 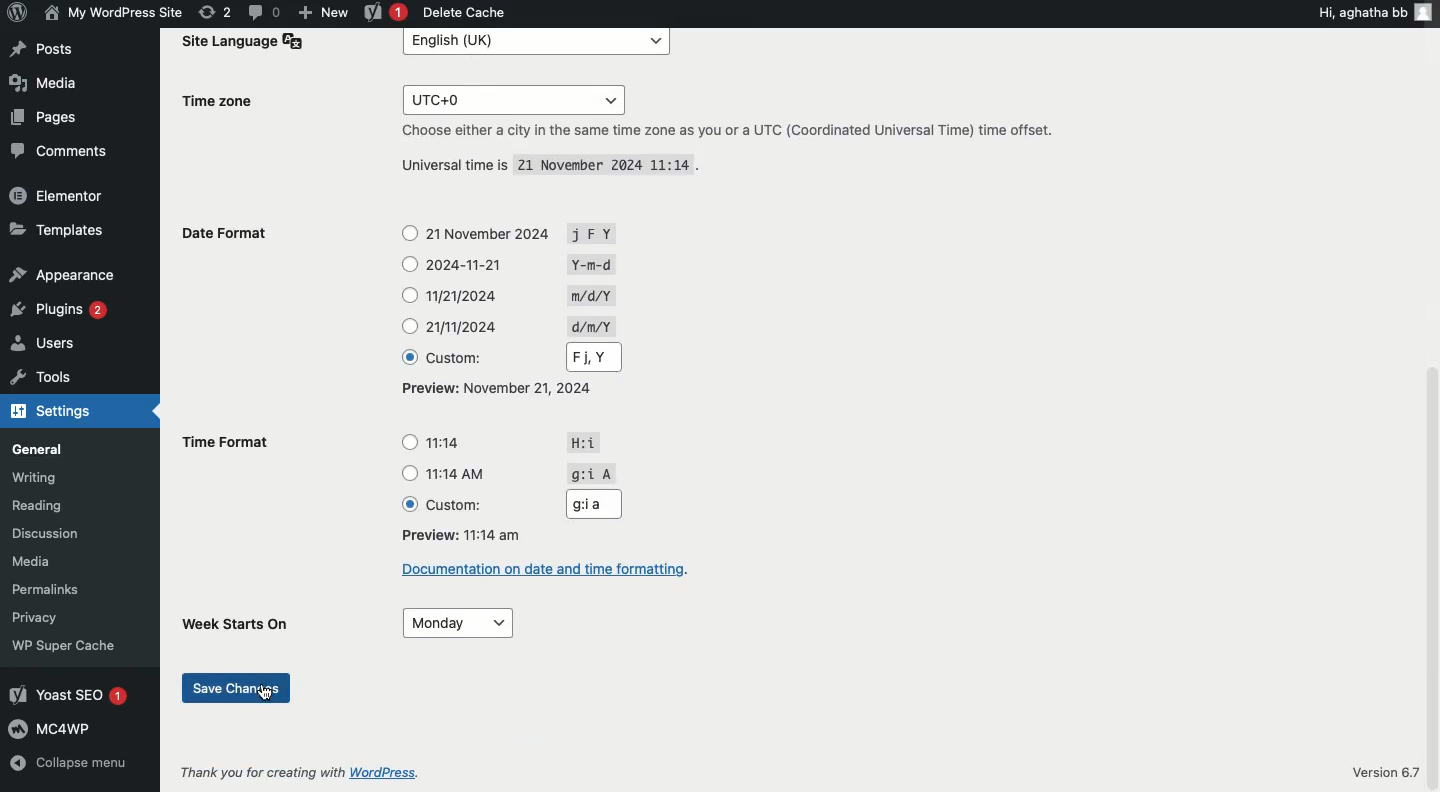 I want to click on Discussion, so click(x=40, y=533).